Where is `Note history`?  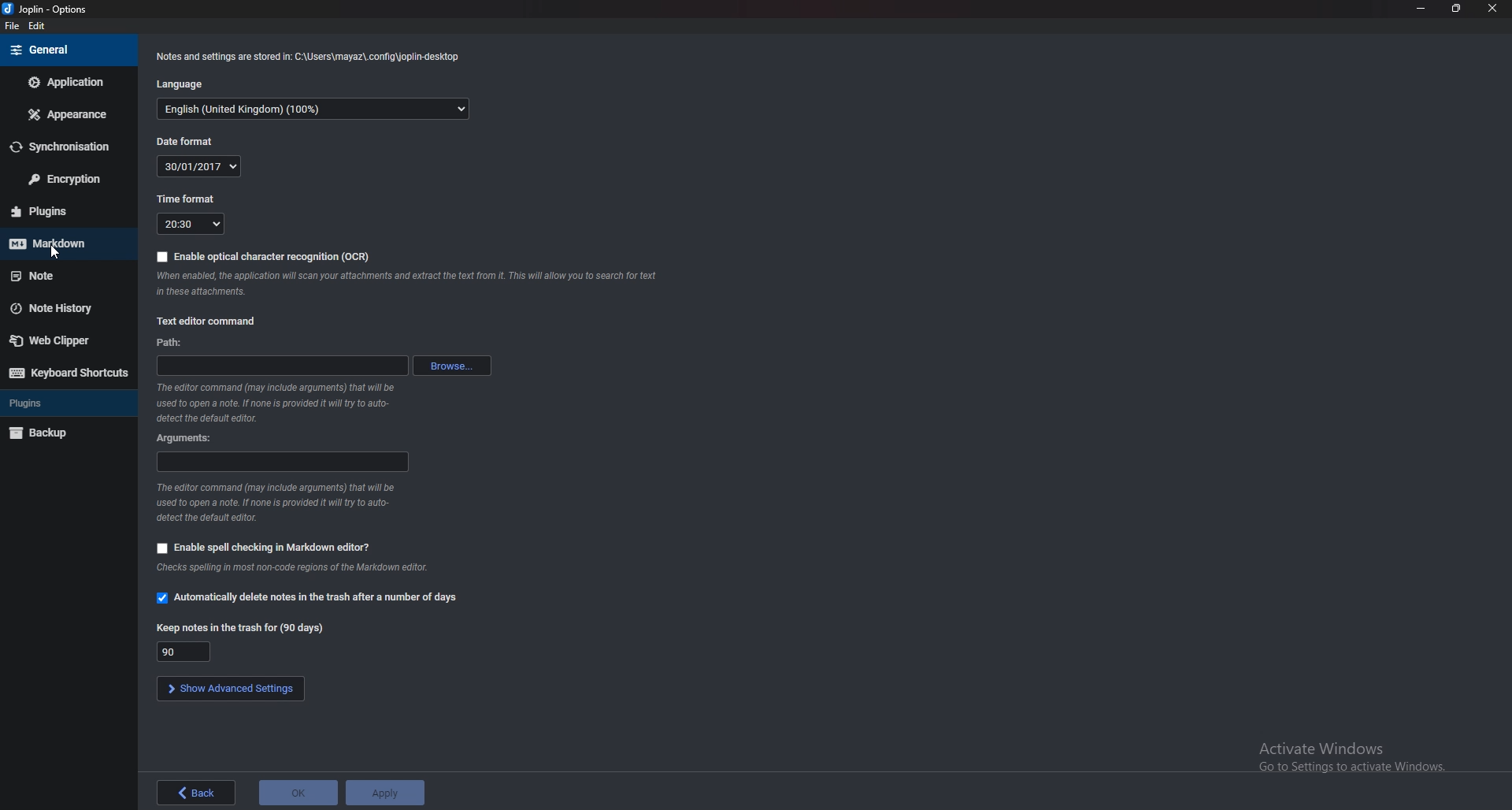
Note history is located at coordinates (58, 310).